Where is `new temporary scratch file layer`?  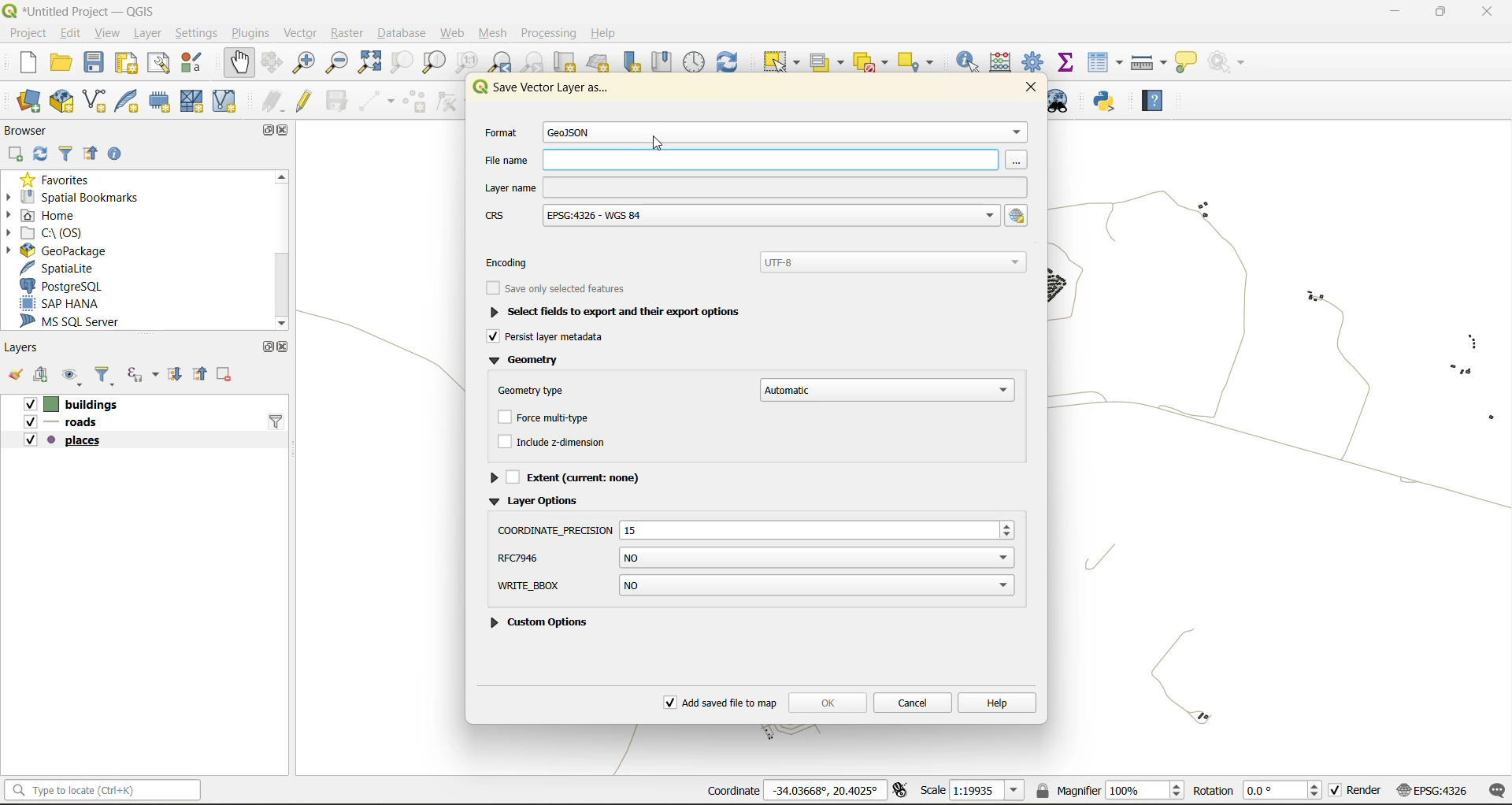
new temporary scratch file layer is located at coordinates (159, 101).